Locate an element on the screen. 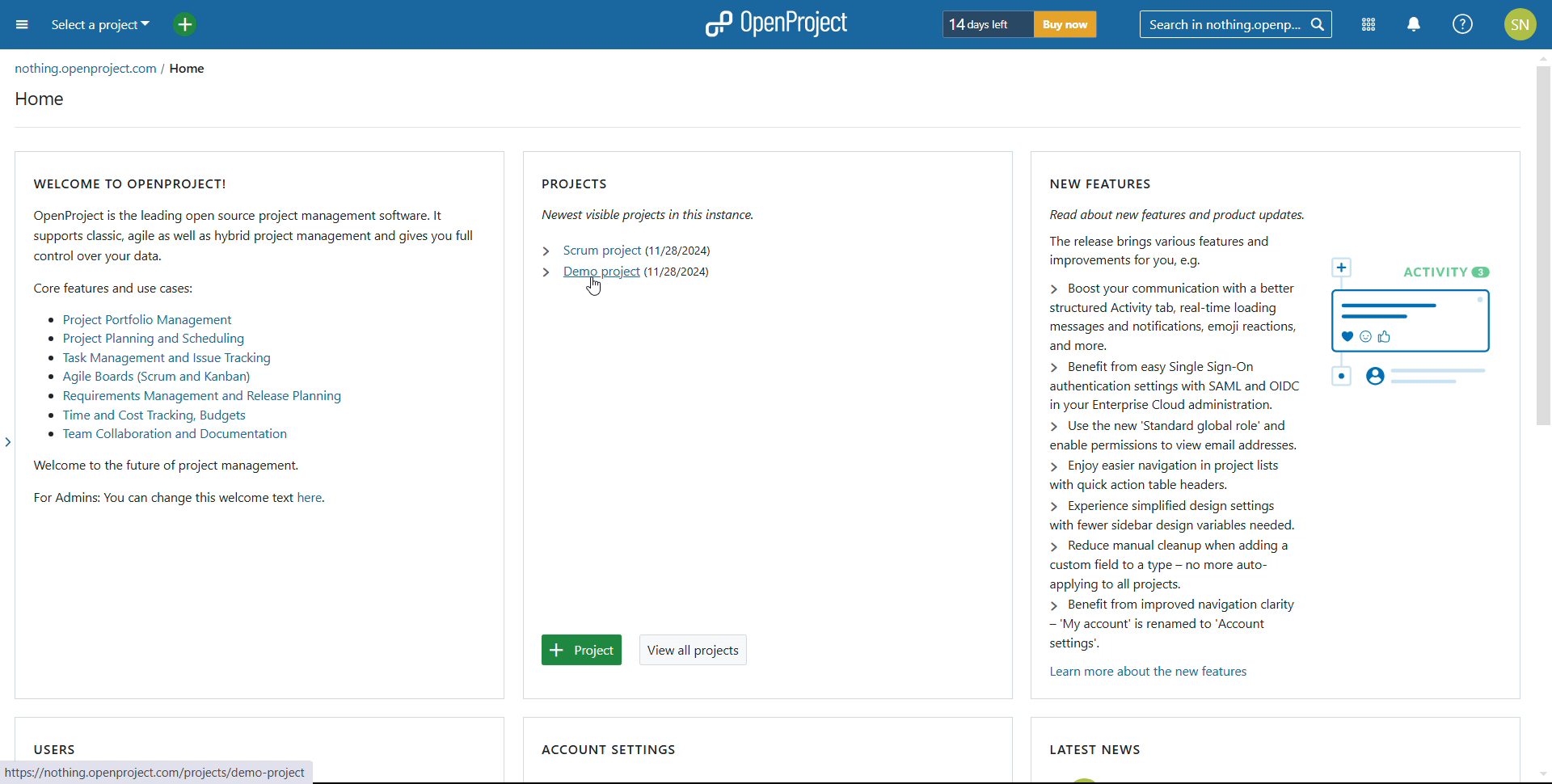 The image size is (1552, 784). start date of scrum project is located at coordinates (678, 251).